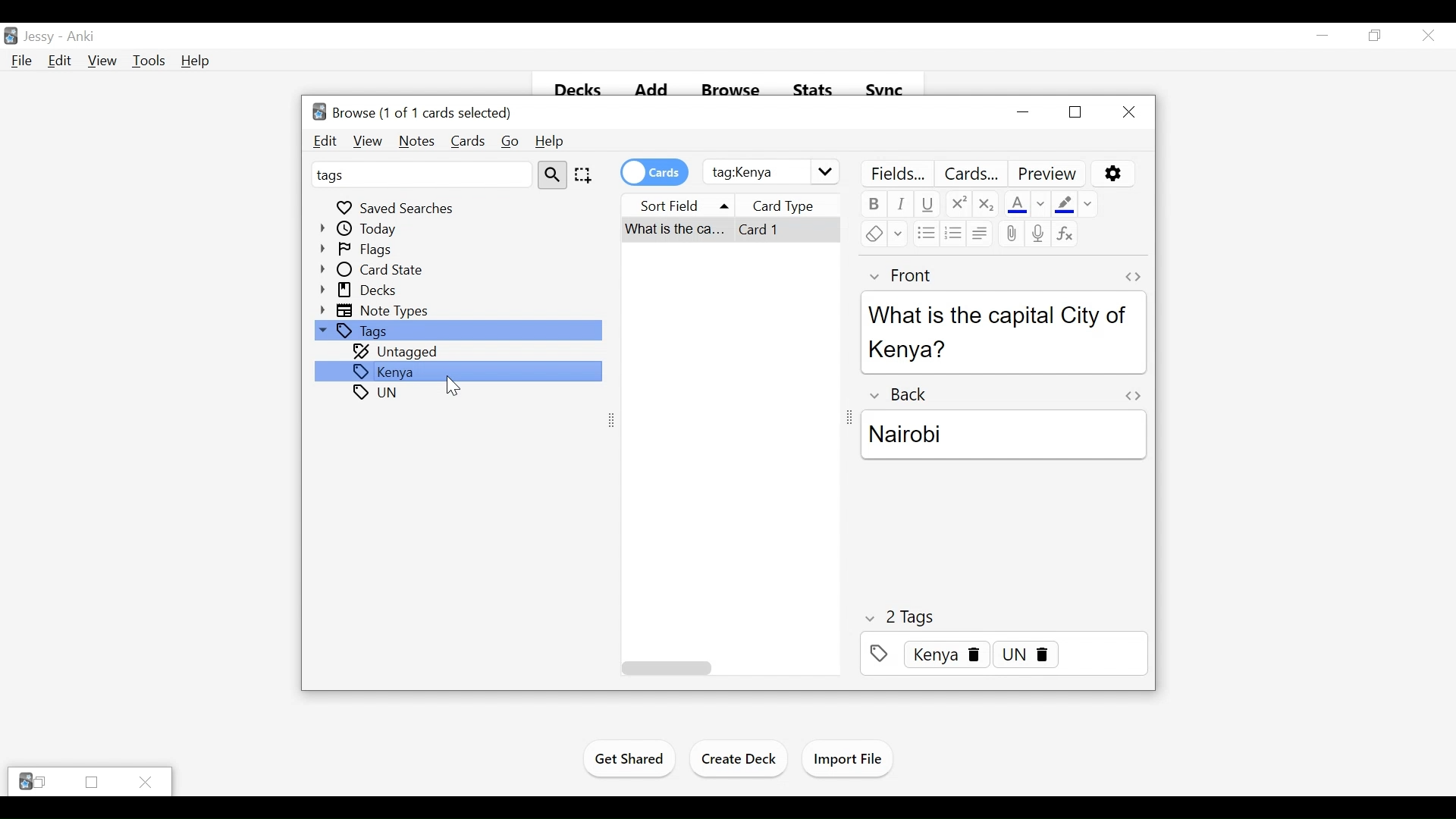  I want to click on View, so click(366, 141).